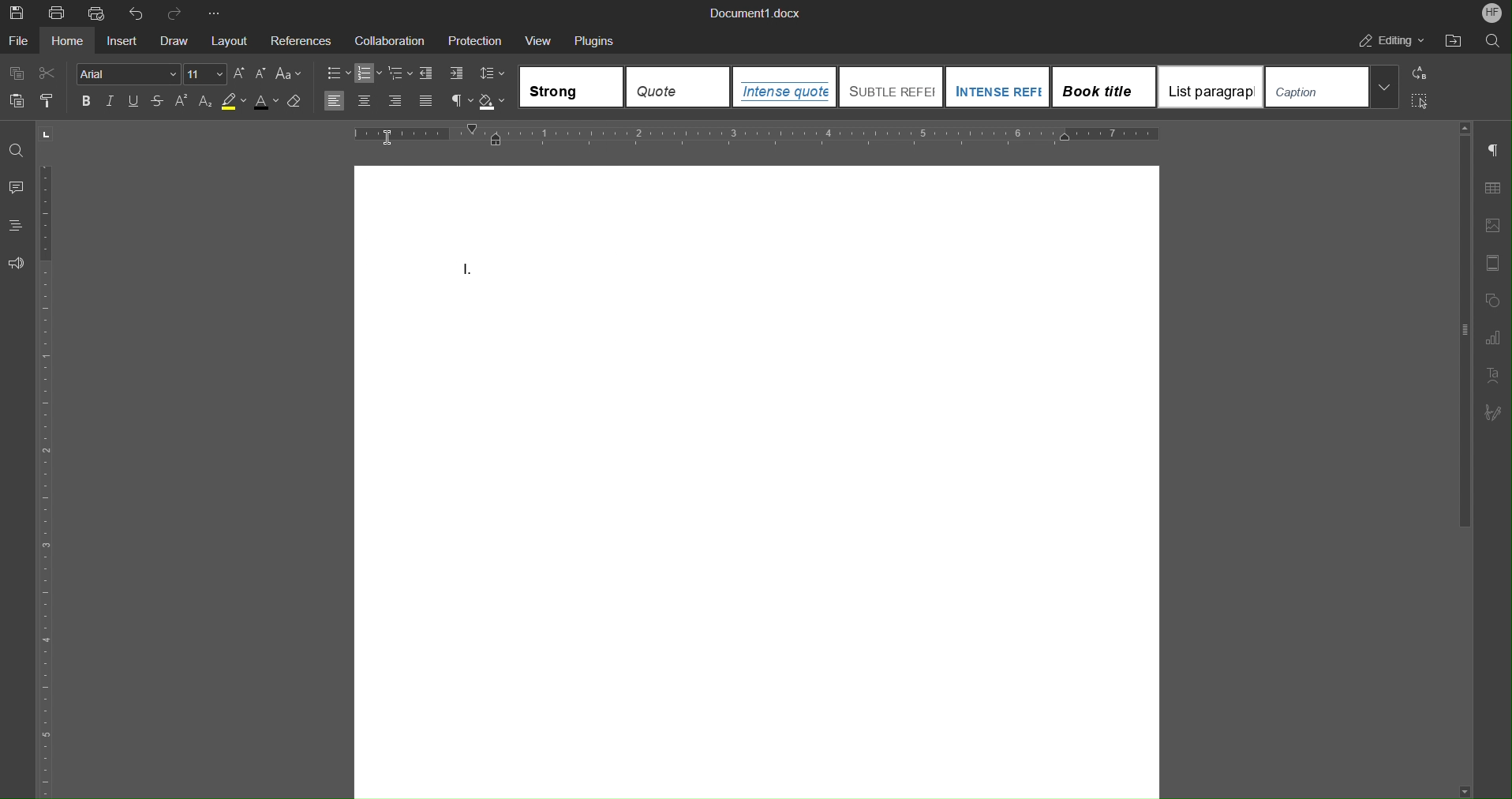 The image size is (1512, 799). Describe the element at coordinates (52, 460) in the screenshot. I see `Vertical Ruler` at that location.